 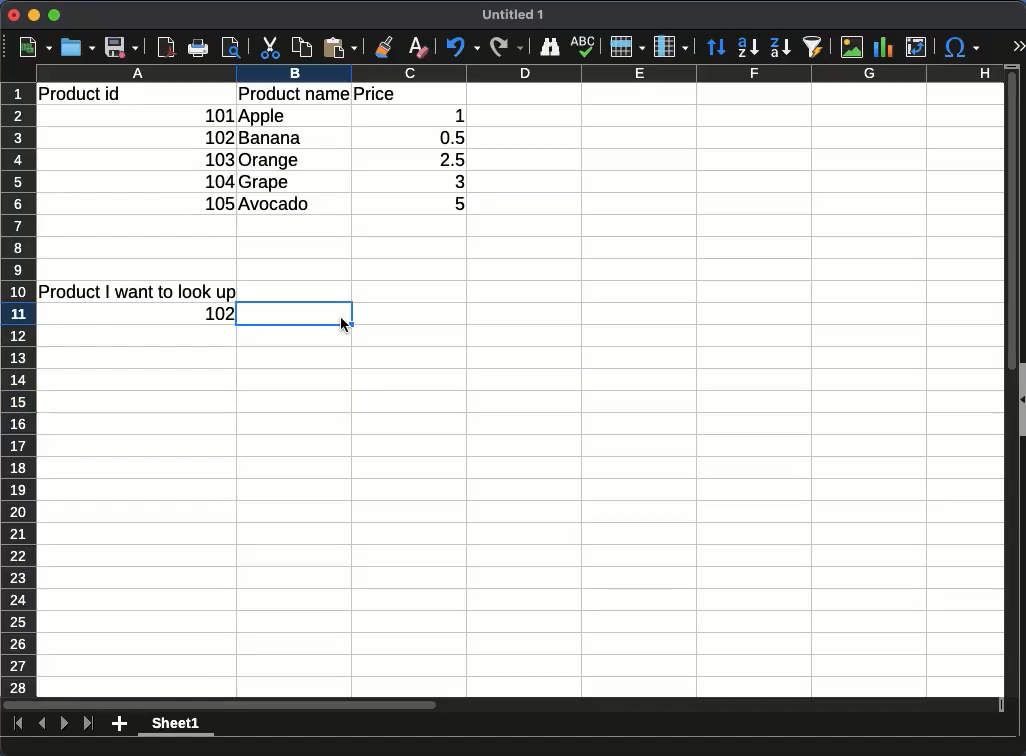 I want to click on 105, so click(x=219, y=203).